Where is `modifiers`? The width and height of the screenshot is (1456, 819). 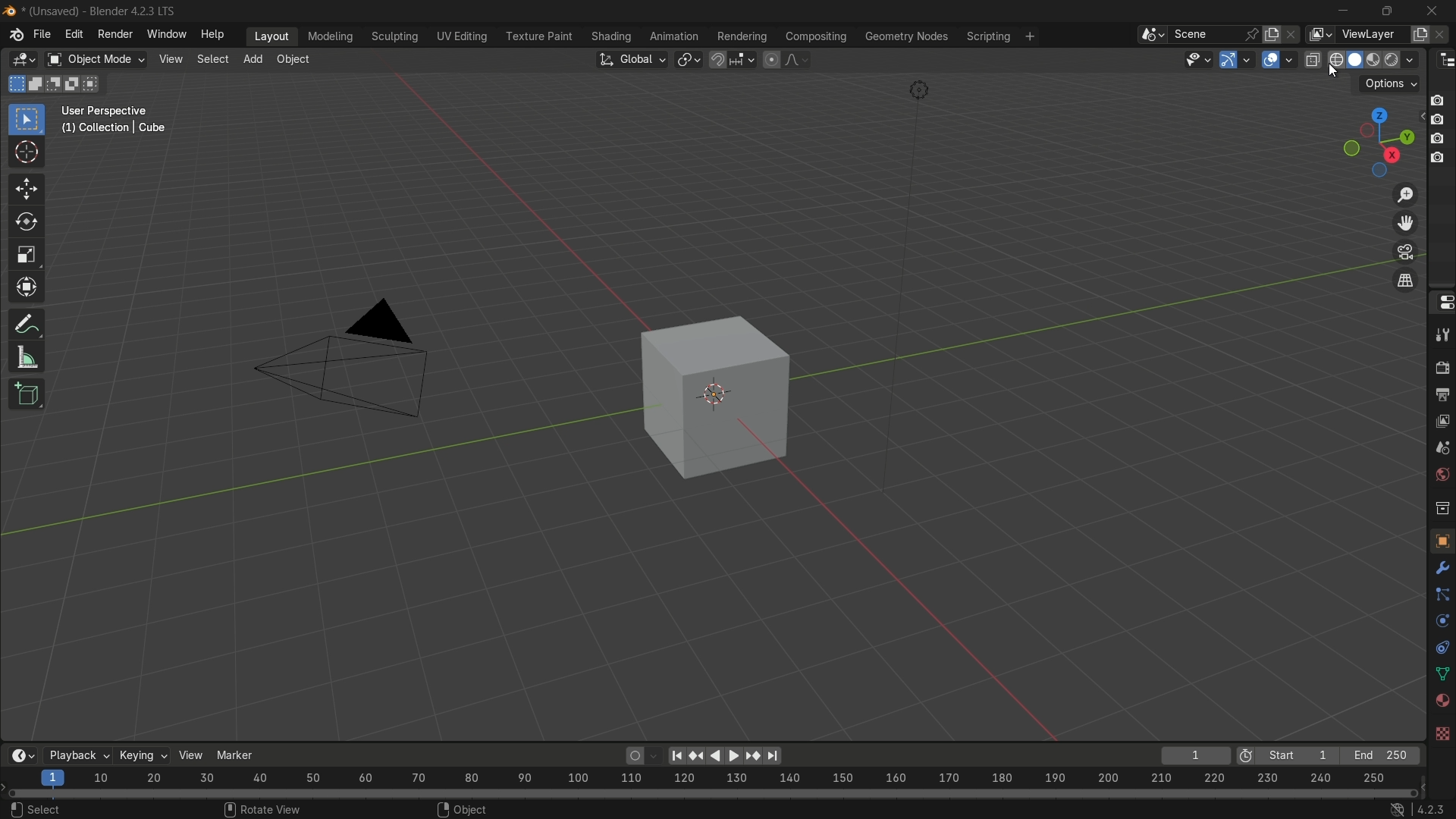 modifiers is located at coordinates (1441, 566).